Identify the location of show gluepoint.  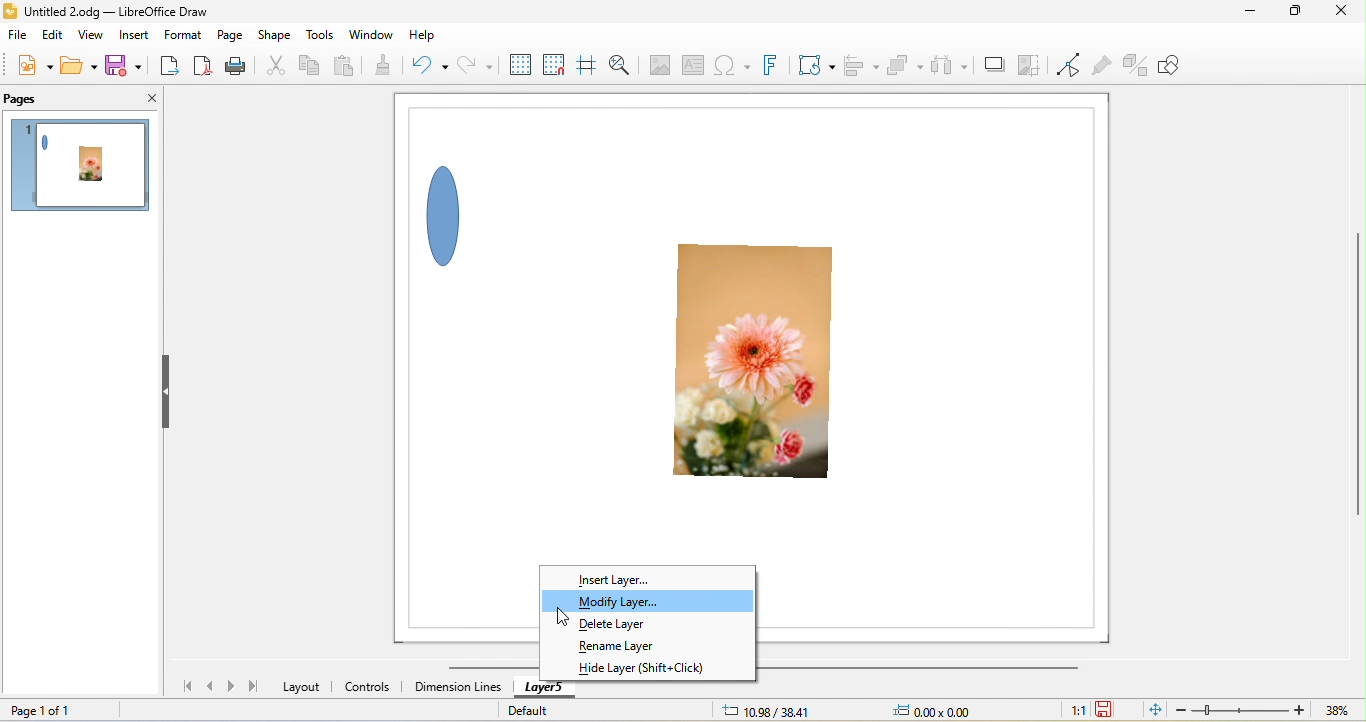
(1103, 66).